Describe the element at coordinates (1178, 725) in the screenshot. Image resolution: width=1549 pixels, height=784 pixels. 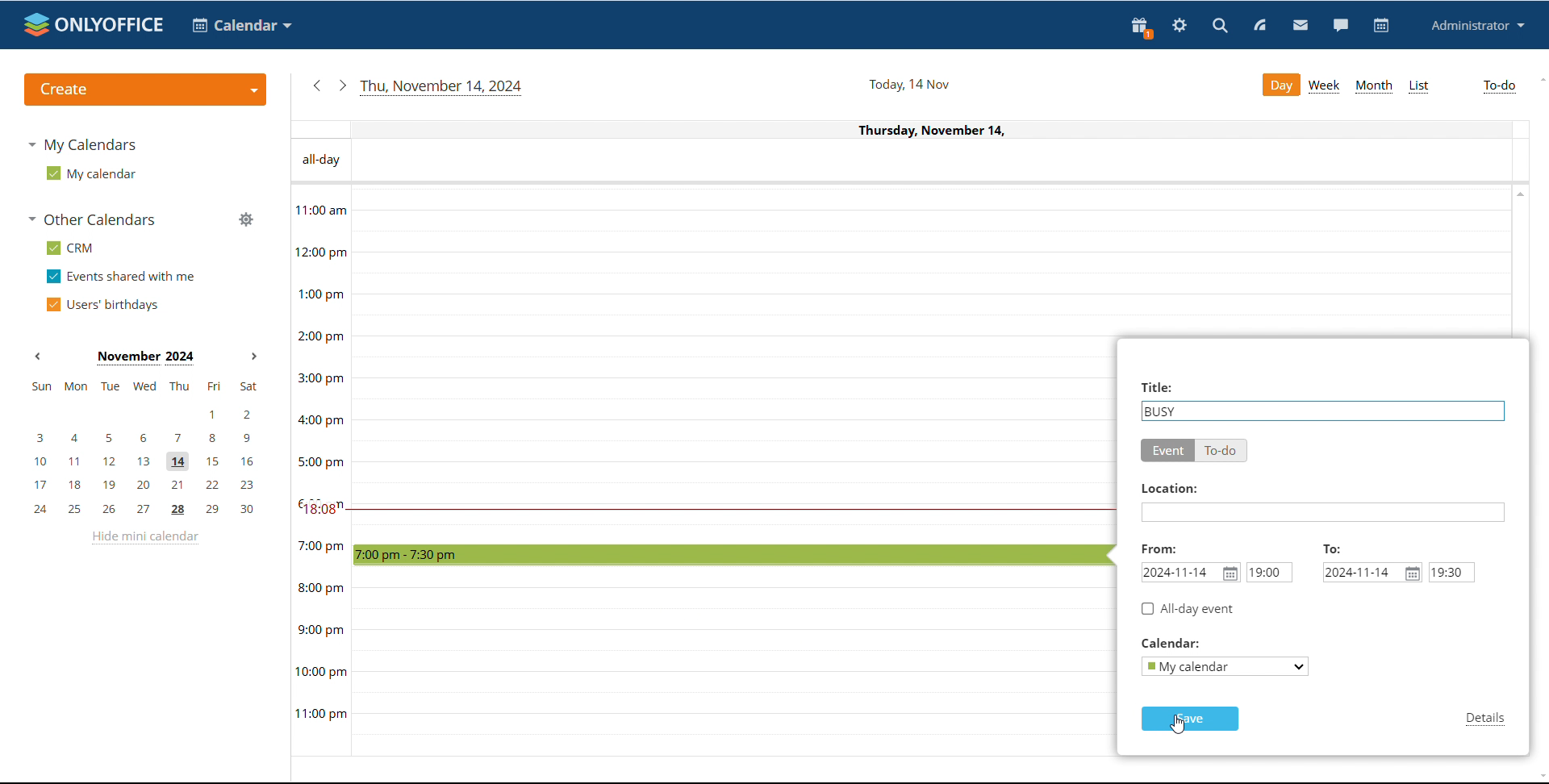
I see `cursor` at that location.